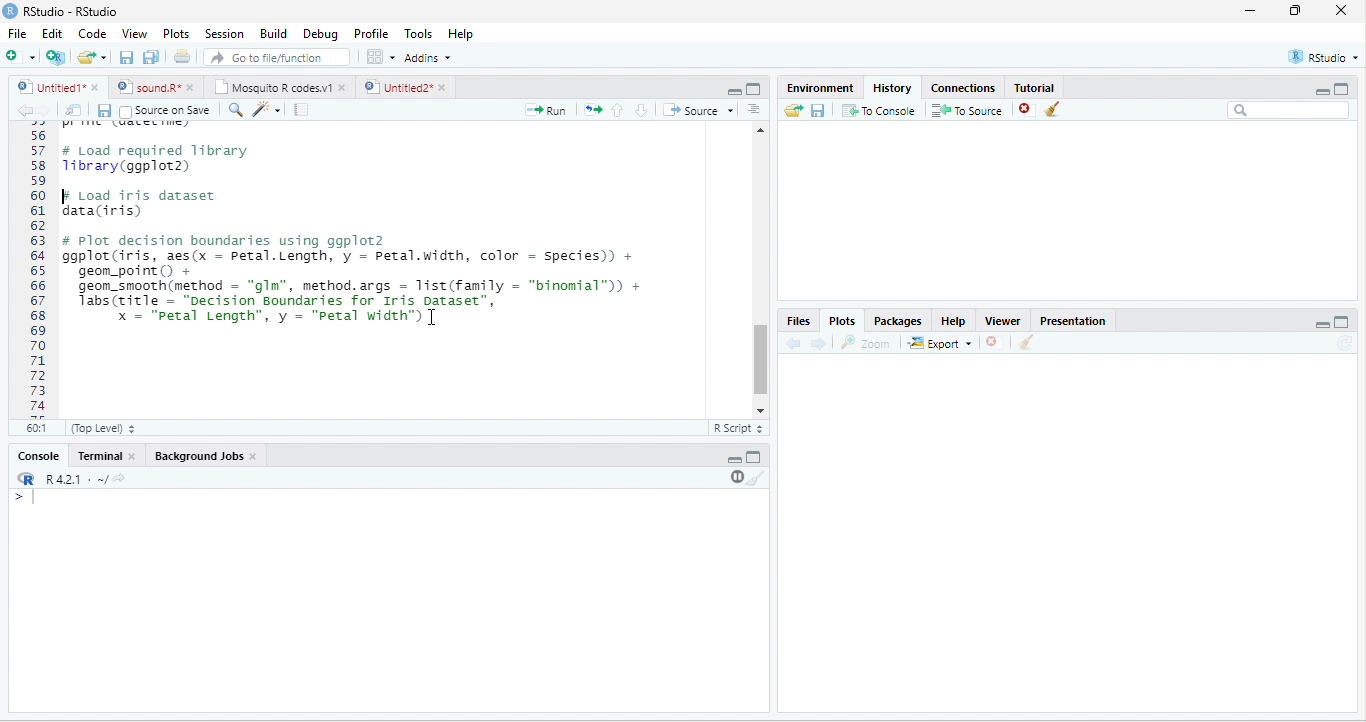  Describe the element at coordinates (1003, 321) in the screenshot. I see `Viewer` at that location.